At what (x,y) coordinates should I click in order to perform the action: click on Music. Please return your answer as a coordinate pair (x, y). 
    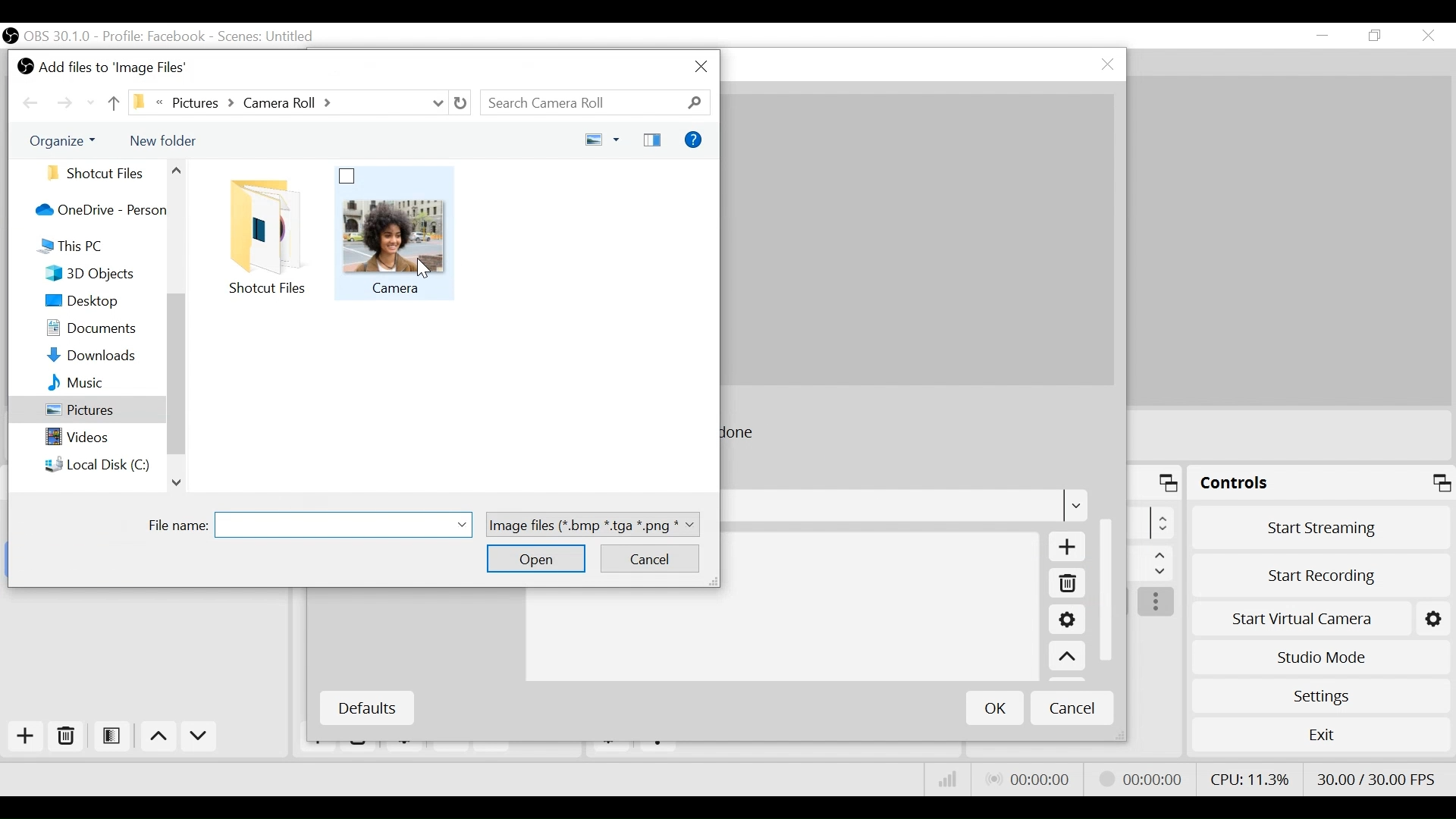
    Looking at the image, I should click on (102, 384).